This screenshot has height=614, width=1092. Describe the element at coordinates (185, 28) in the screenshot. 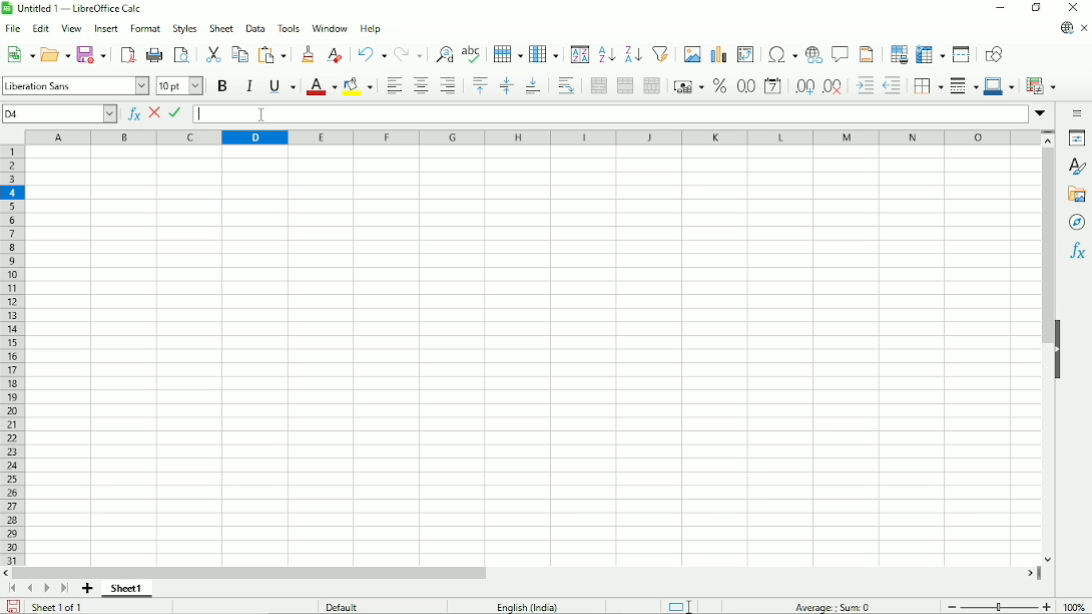

I see `Style` at that location.